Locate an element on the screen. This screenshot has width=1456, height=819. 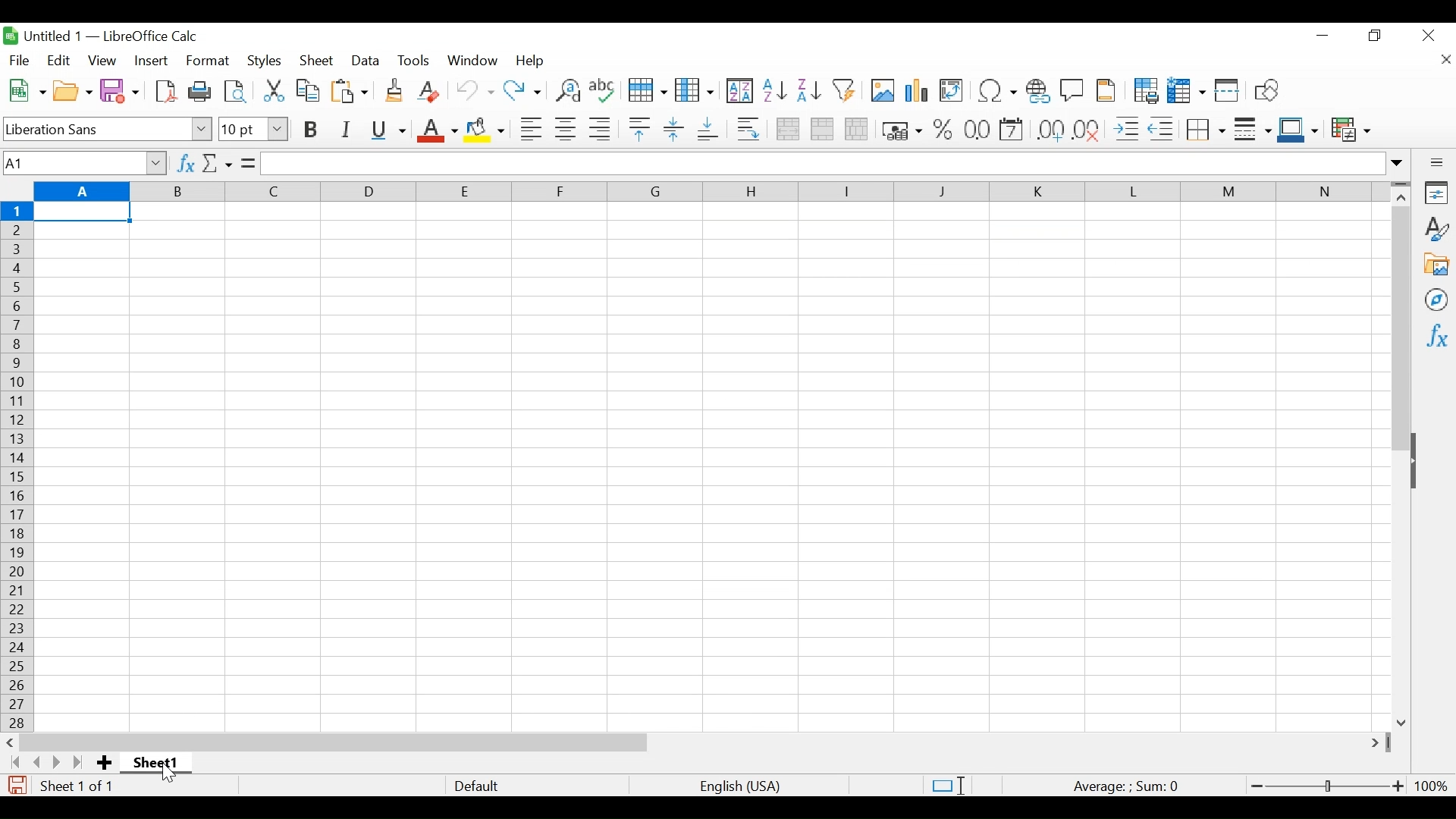
Insert or Edit Pivot table is located at coordinates (952, 91).